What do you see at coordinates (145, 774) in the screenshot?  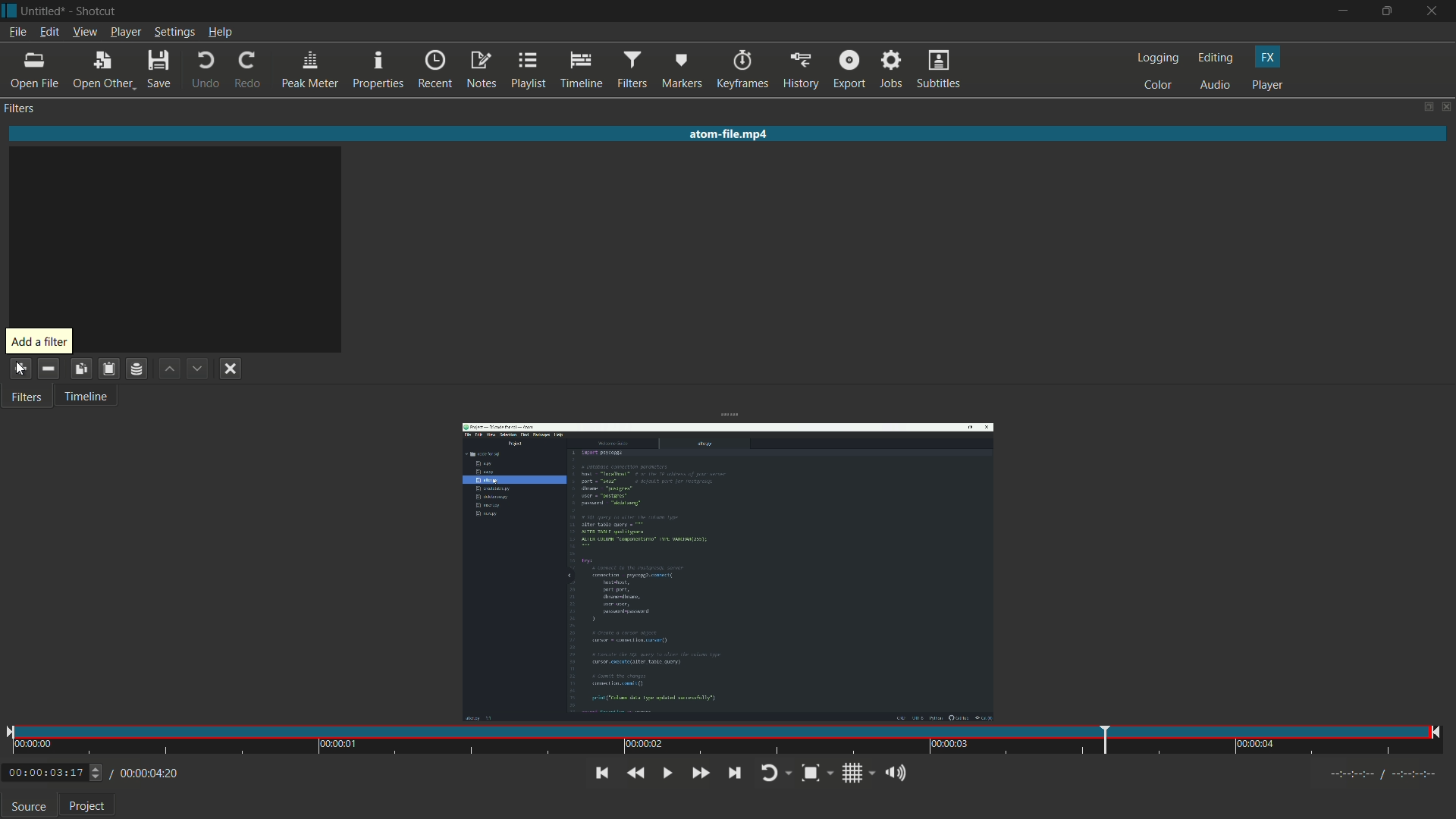 I see `00:00:04:20` at bounding box center [145, 774].